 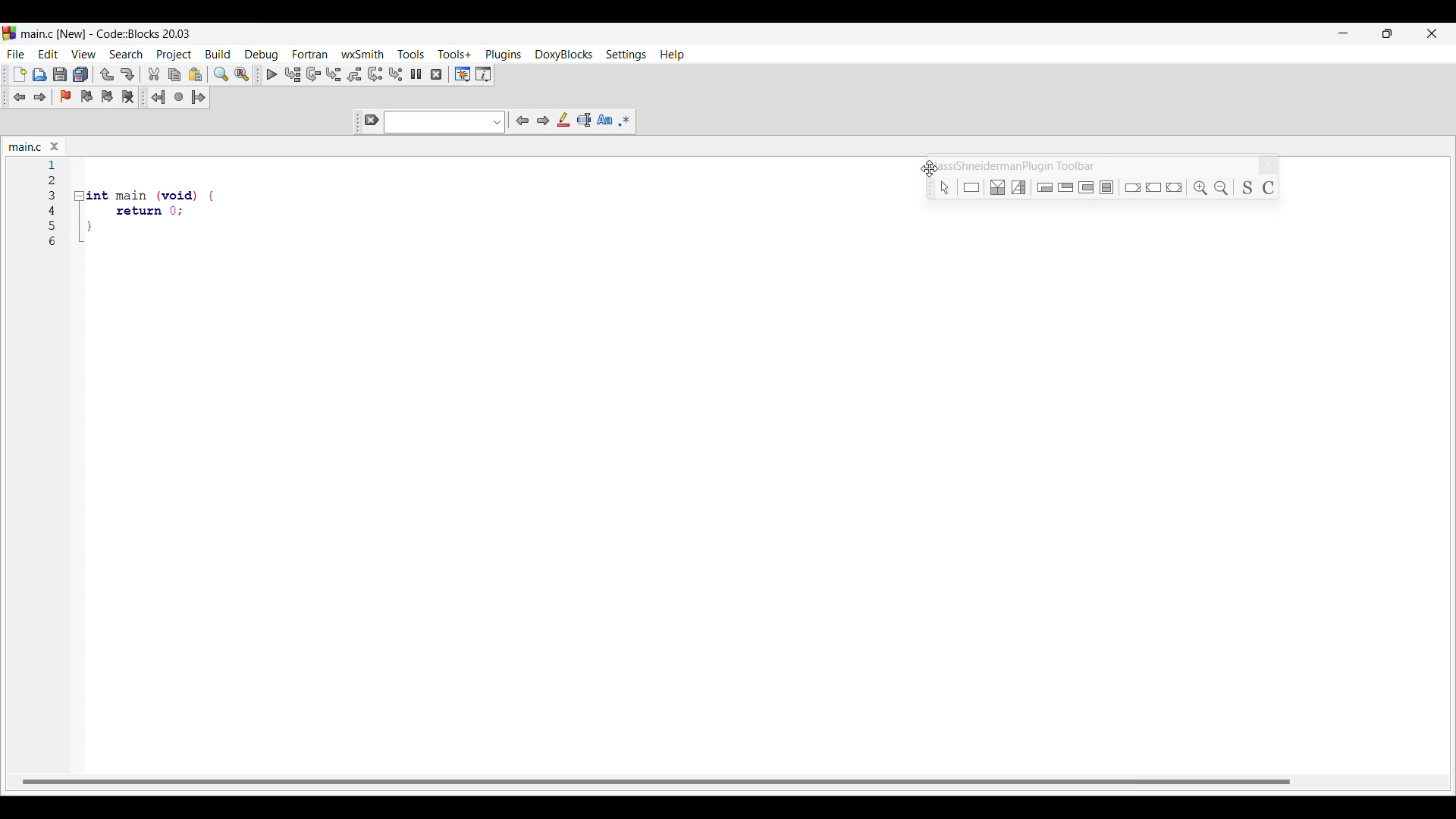 What do you see at coordinates (1272, 186) in the screenshot?
I see `` at bounding box center [1272, 186].